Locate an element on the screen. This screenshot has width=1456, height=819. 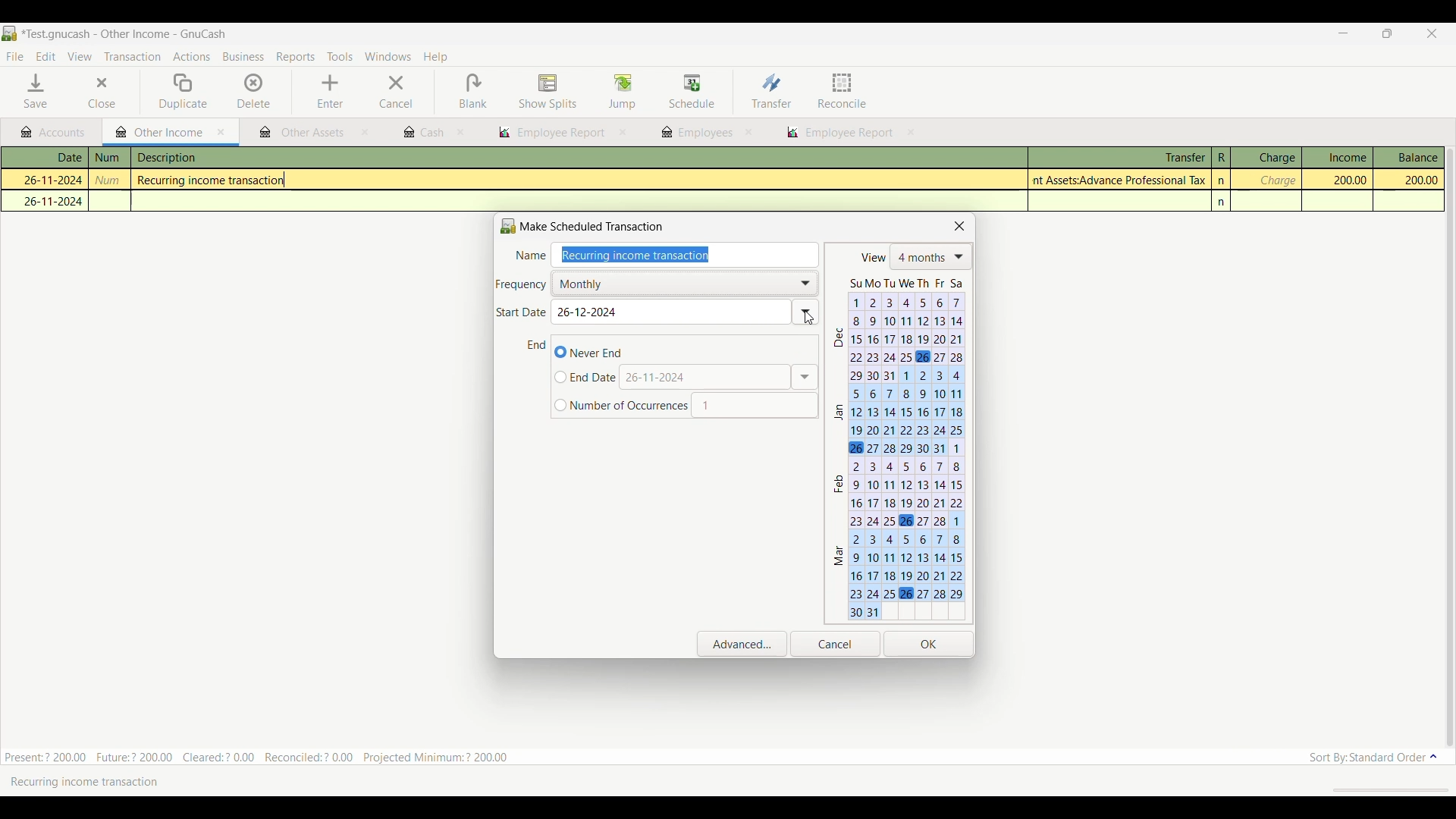
Minimize is located at coordinates (1338, 34).